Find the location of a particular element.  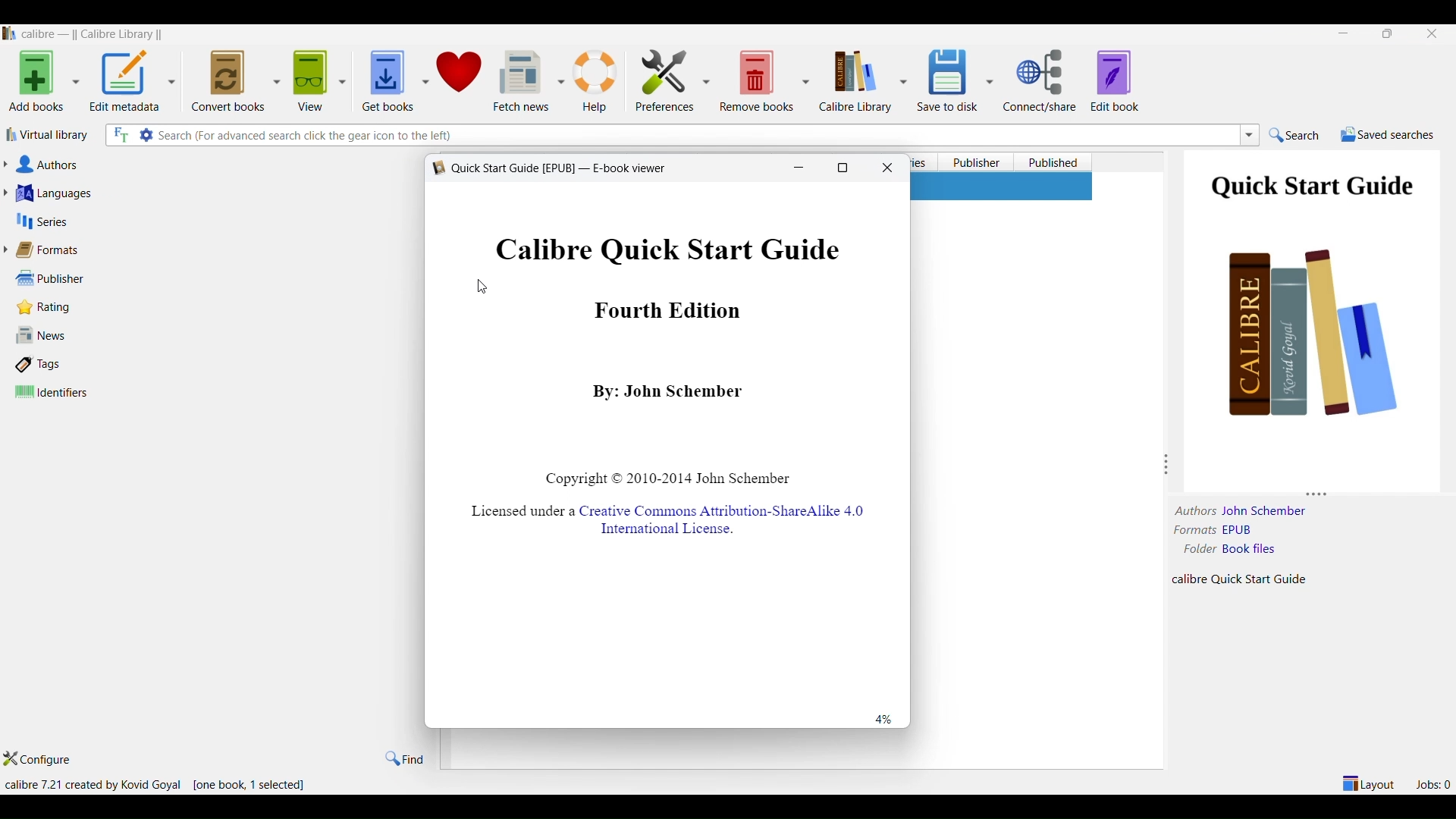

close is located at coordinates (889, 168).